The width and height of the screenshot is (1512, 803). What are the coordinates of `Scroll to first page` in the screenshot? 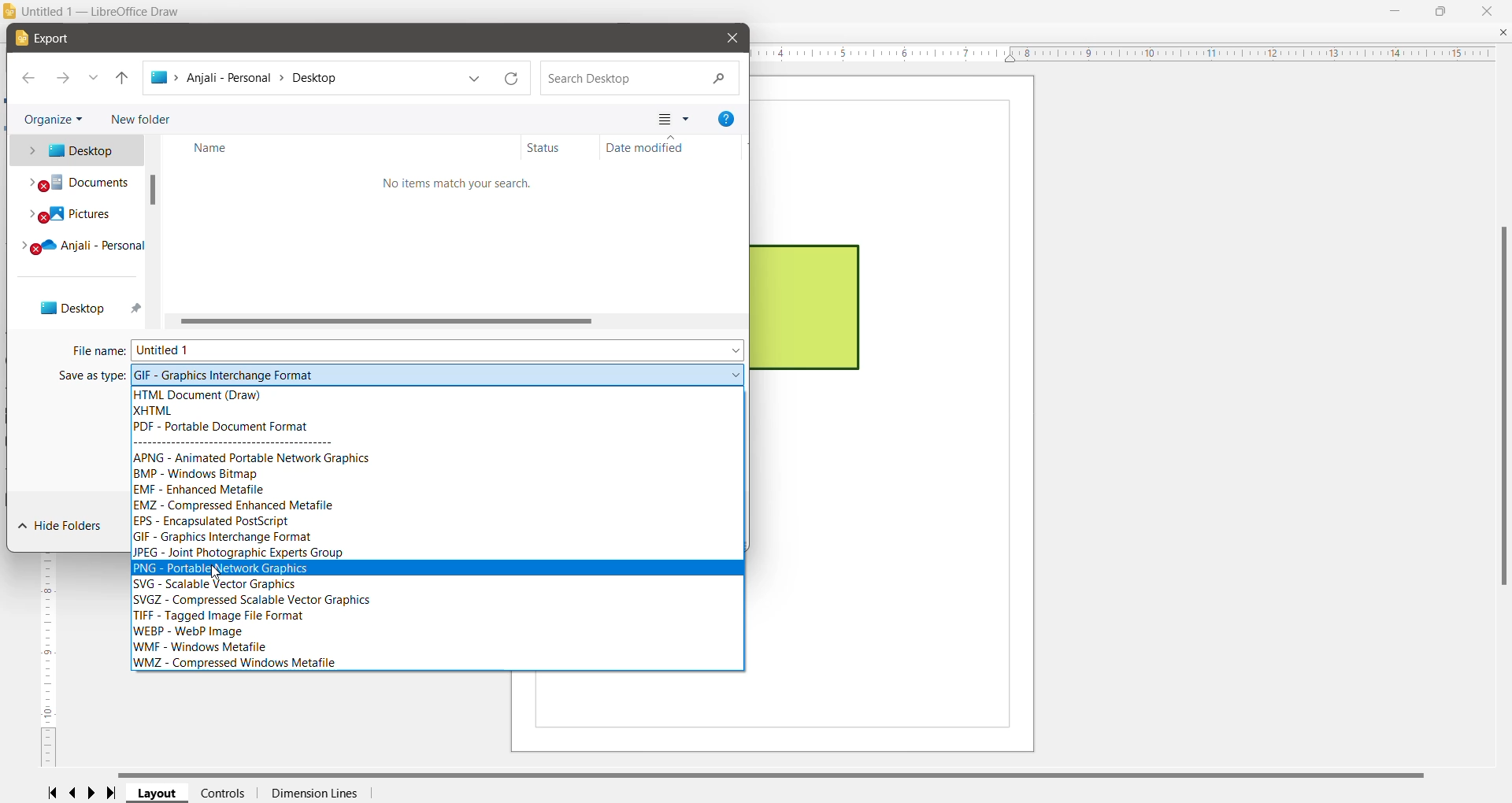 It's located at (51, 792).